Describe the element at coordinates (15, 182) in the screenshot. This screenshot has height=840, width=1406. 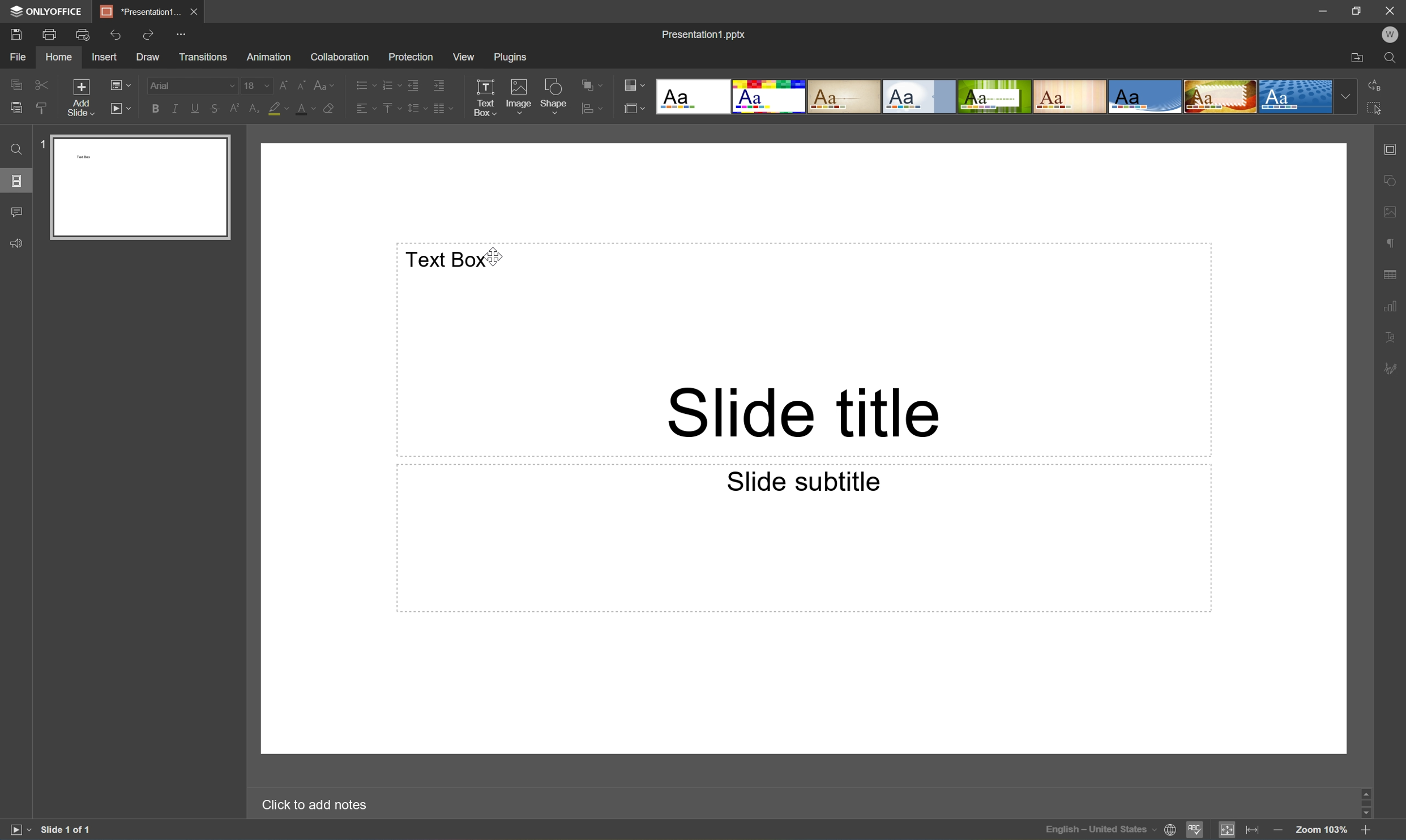
I see `Slides` at that location.